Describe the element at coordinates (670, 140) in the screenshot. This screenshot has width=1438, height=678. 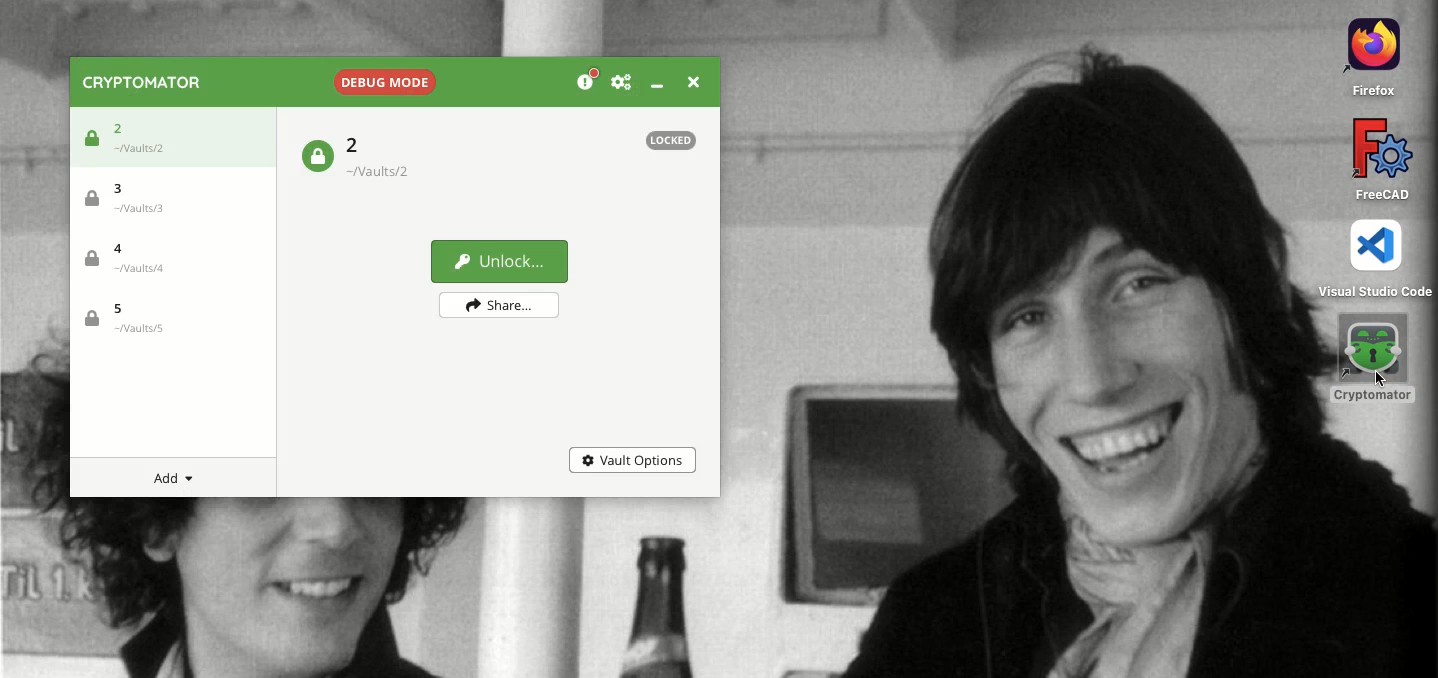
I see `Locked` at that location.